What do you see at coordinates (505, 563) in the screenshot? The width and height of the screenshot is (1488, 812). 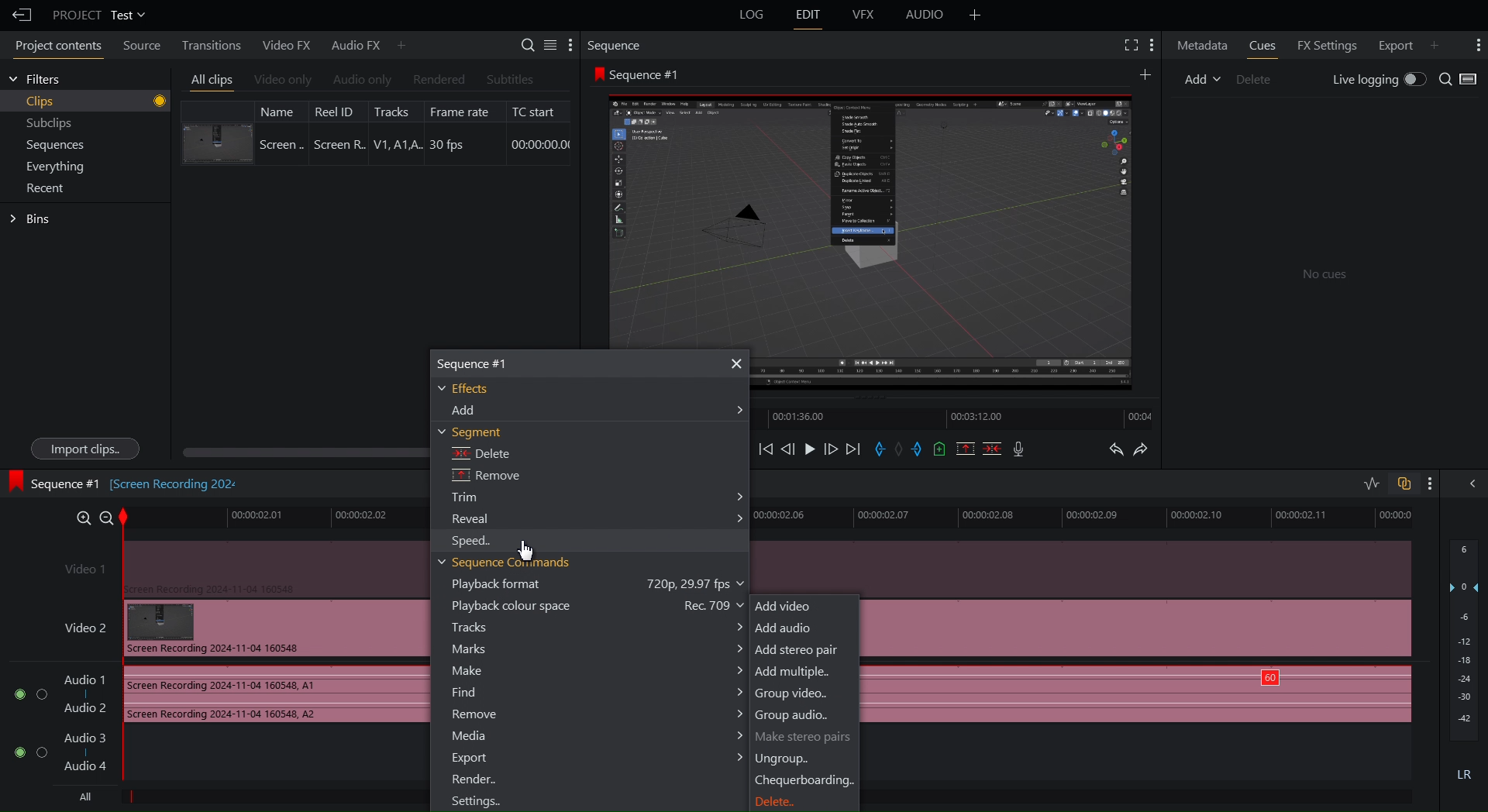 I see `Sequence Commands` at bounding box center [505, 563].